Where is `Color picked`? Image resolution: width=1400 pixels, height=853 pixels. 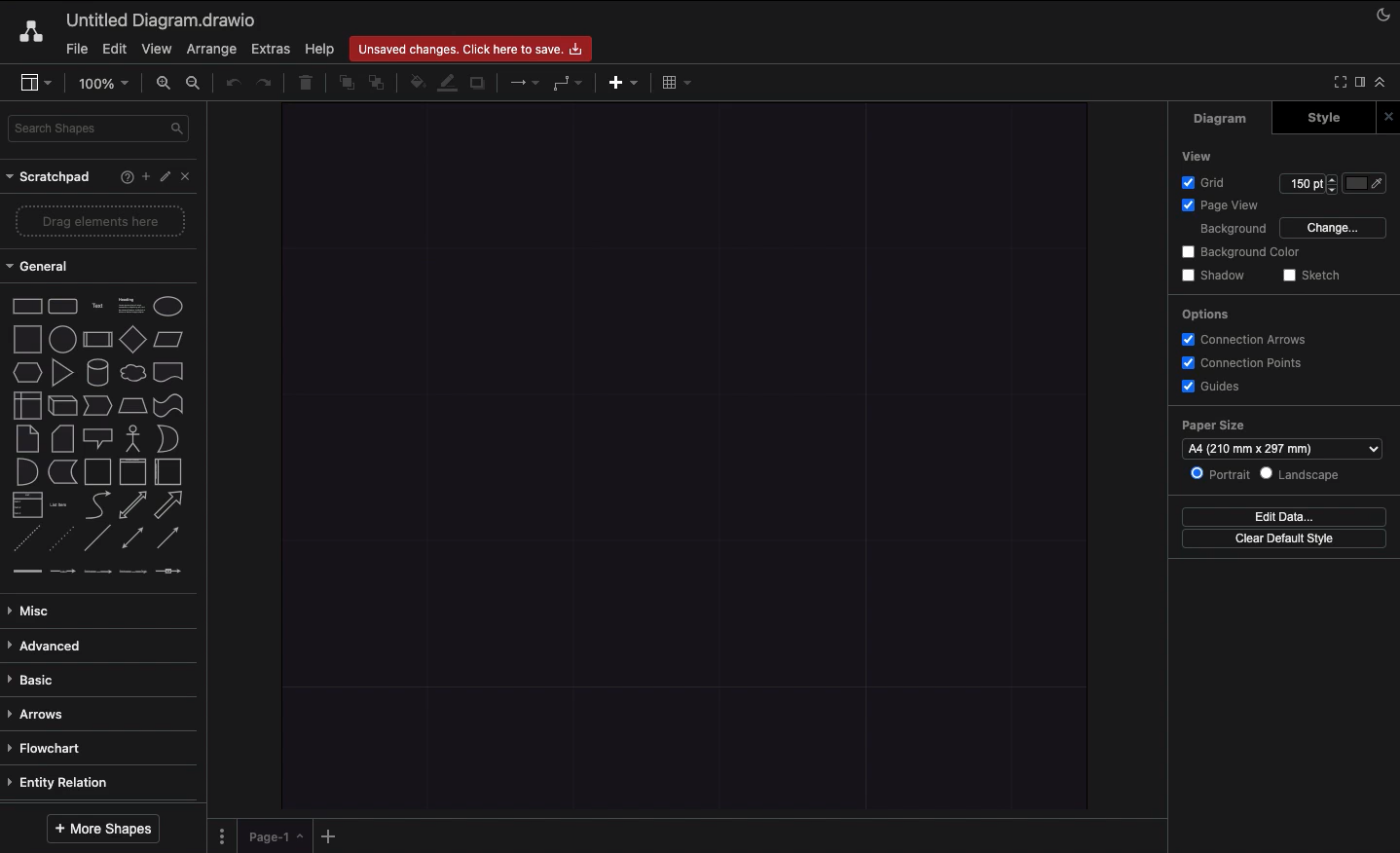 Color picked is located at coordinates (1364, 183).